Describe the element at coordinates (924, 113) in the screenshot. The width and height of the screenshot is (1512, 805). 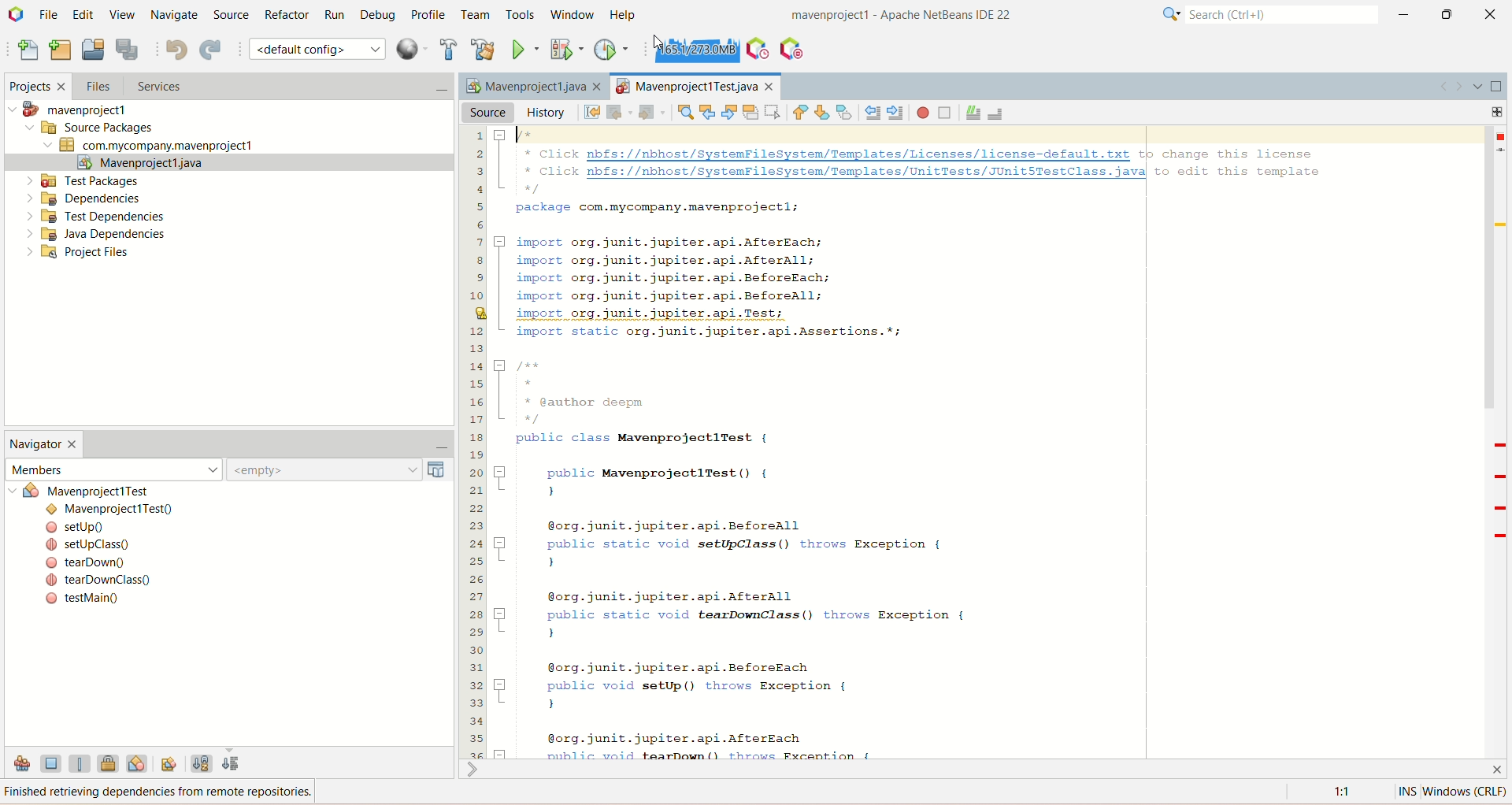
I see `start macro recording` at that location.